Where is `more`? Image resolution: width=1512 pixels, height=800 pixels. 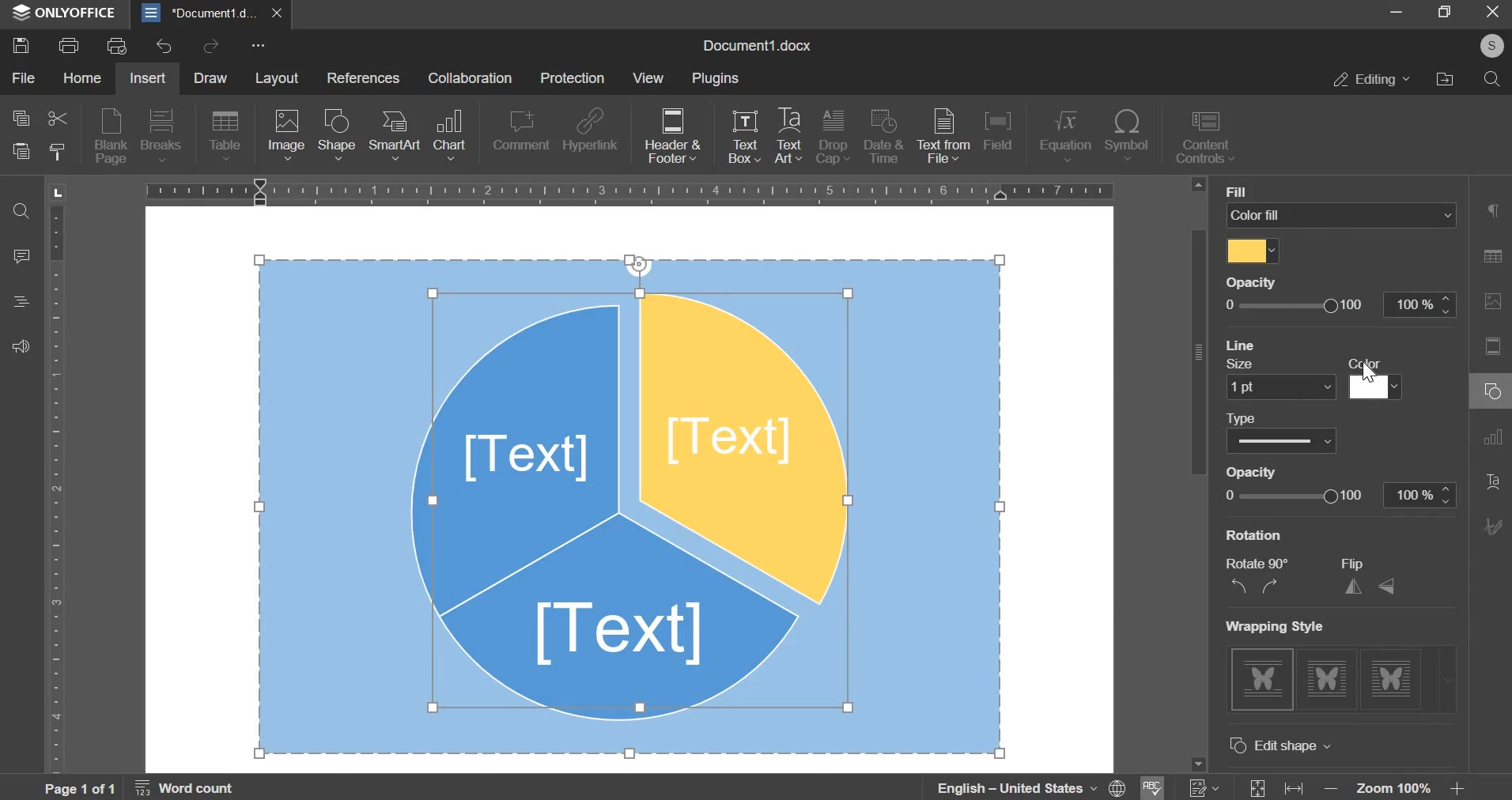 more is located at coordinates (259, 45).